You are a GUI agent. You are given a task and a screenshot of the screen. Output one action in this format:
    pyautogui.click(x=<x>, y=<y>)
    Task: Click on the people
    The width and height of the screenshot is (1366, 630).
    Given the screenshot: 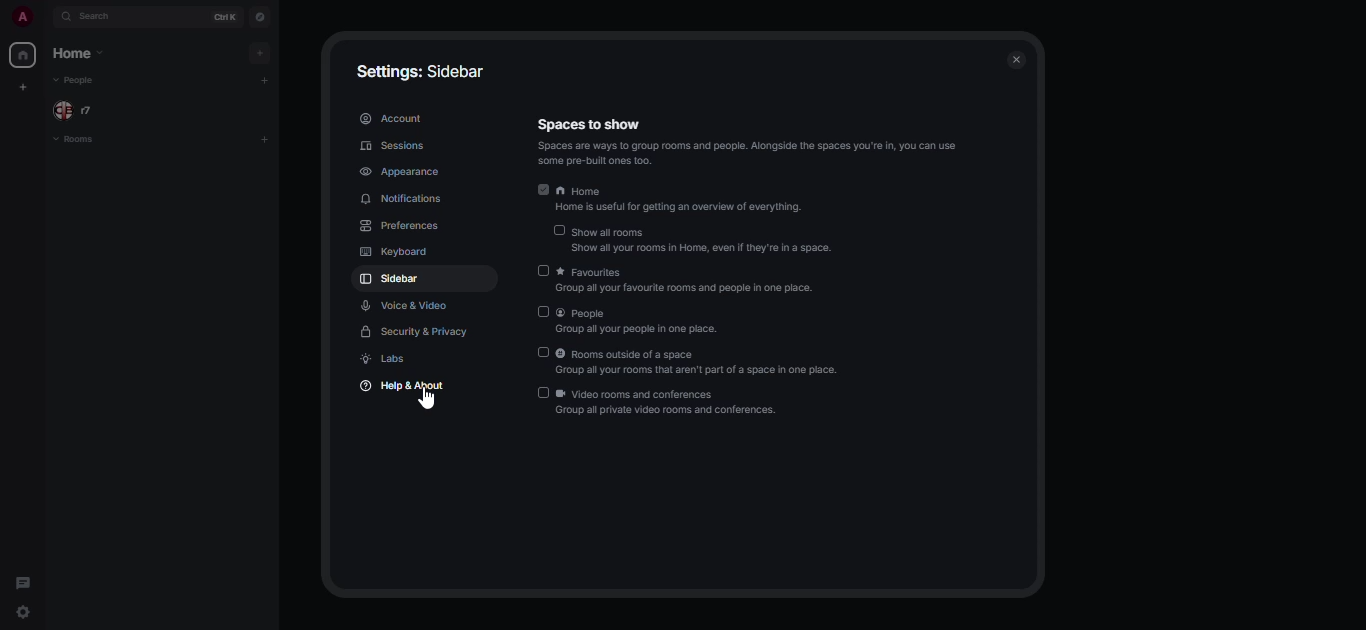 What is the action you would take?
    pyautogui.click(x=88, y=109)
    